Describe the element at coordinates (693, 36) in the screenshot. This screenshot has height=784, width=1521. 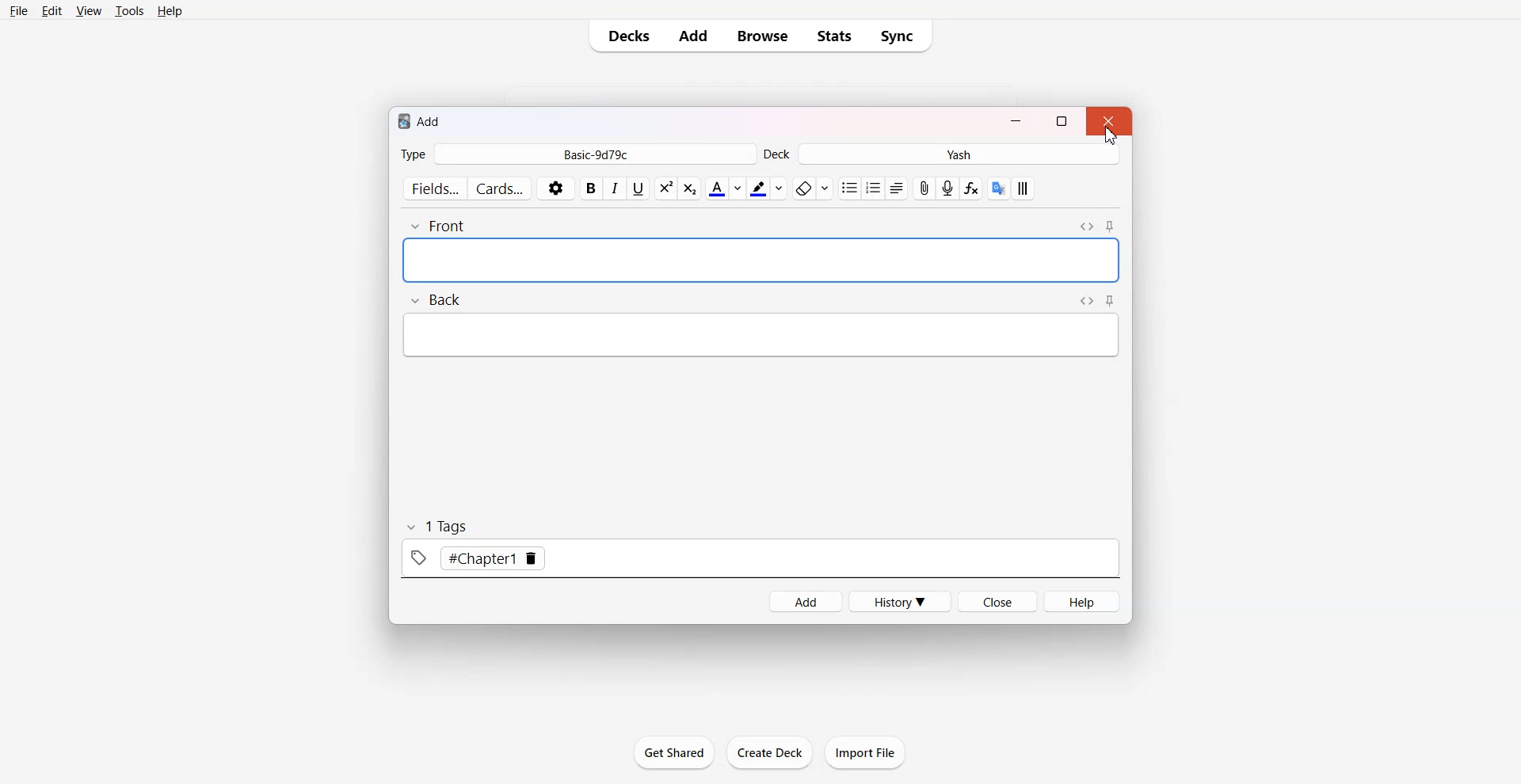
I see `Add` at that location.